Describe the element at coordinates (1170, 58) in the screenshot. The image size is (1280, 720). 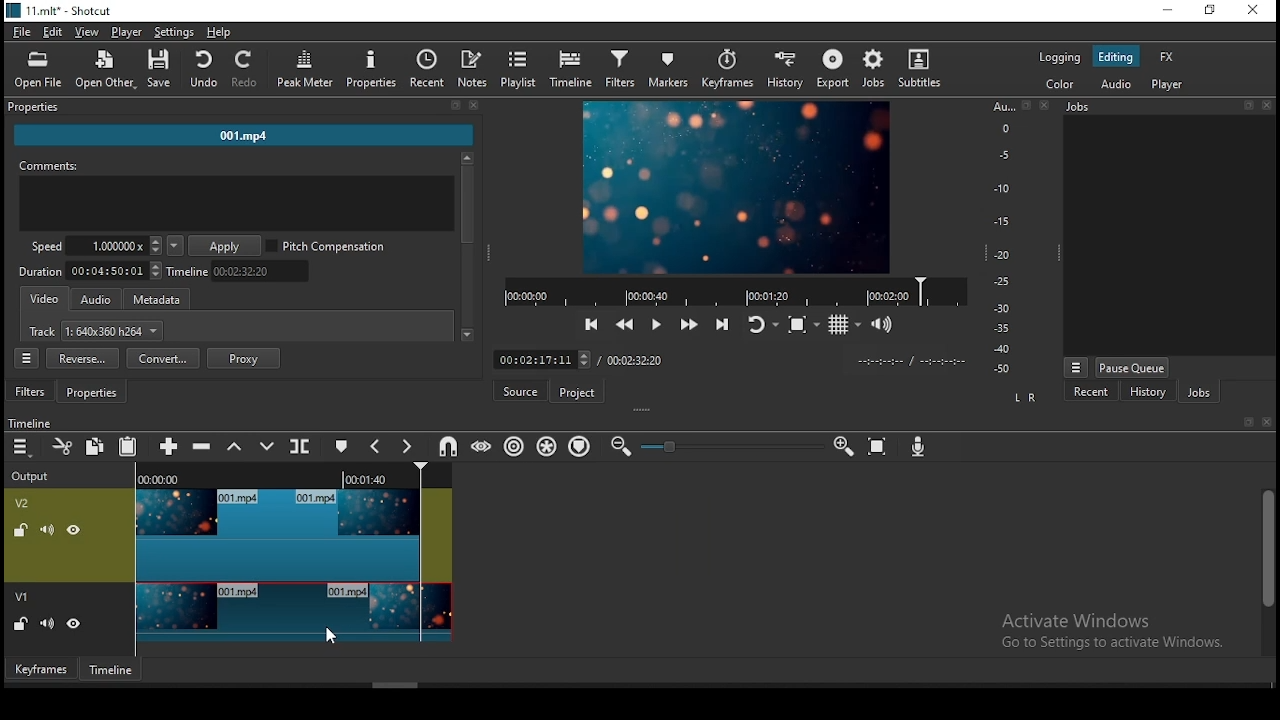
I see `fx` at that location.